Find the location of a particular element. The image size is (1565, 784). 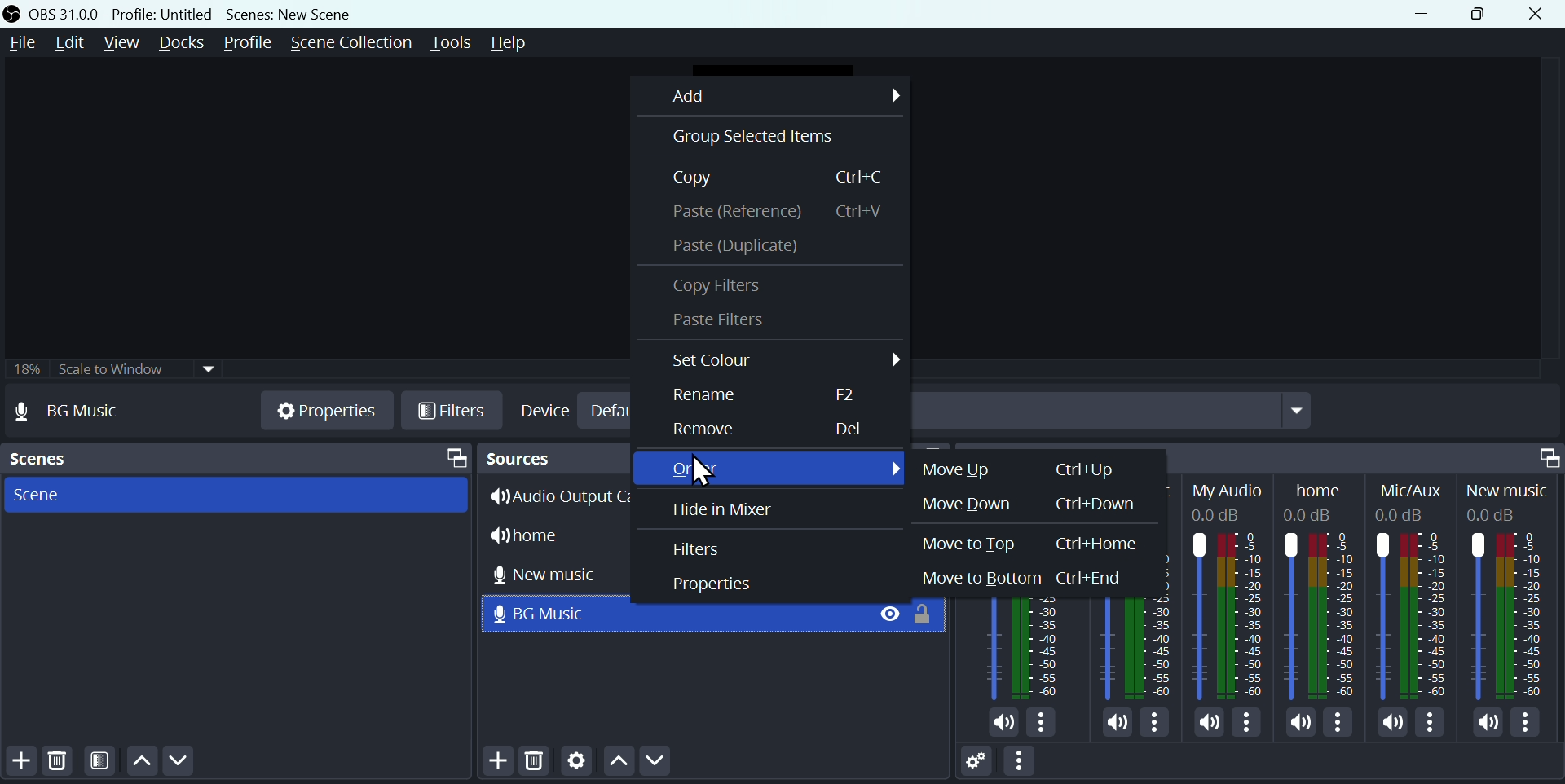

add is located at coordinates (494, 764).